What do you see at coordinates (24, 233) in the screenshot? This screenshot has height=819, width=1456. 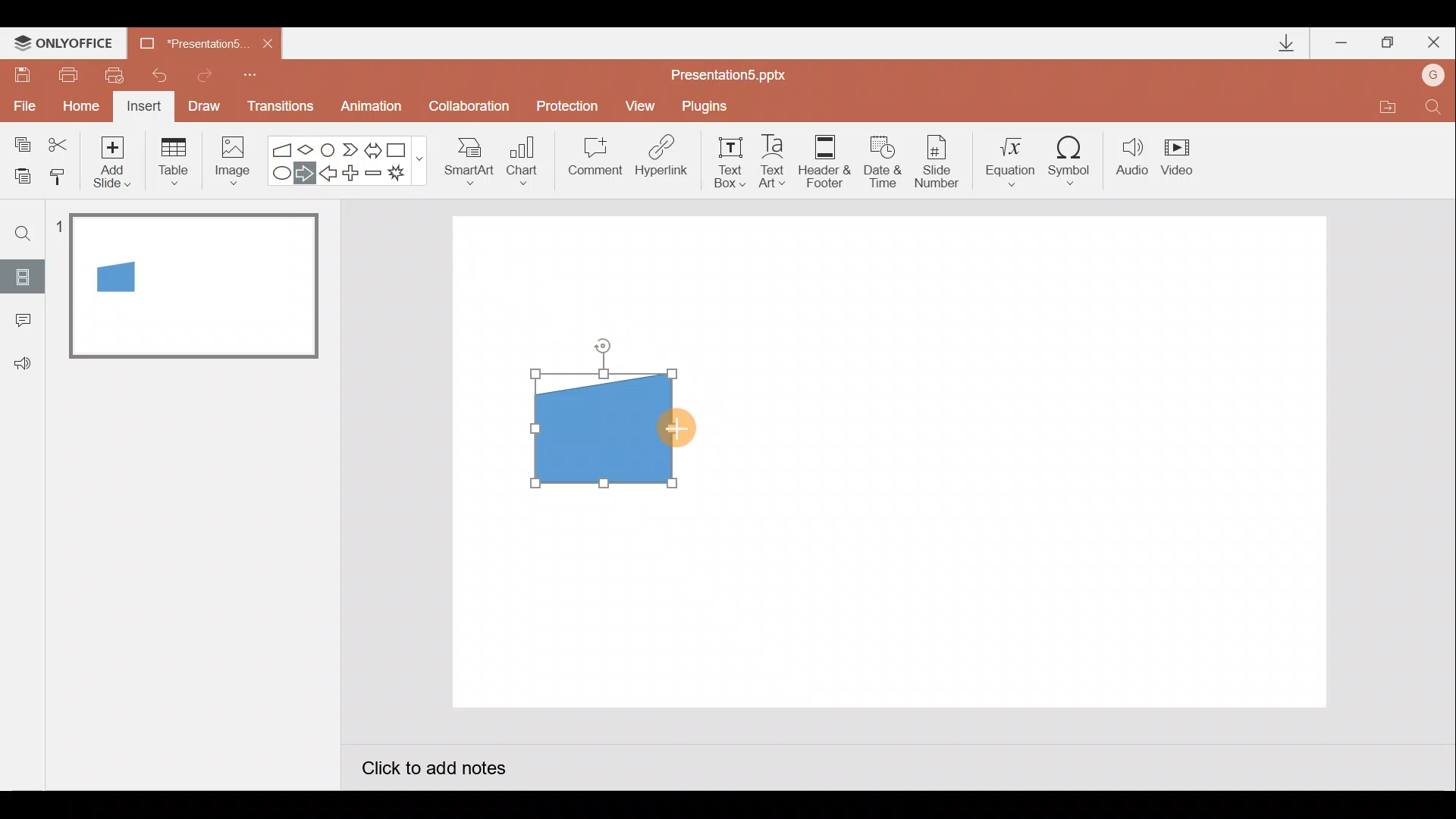 I see `Find` at bounding box center [24, 233].